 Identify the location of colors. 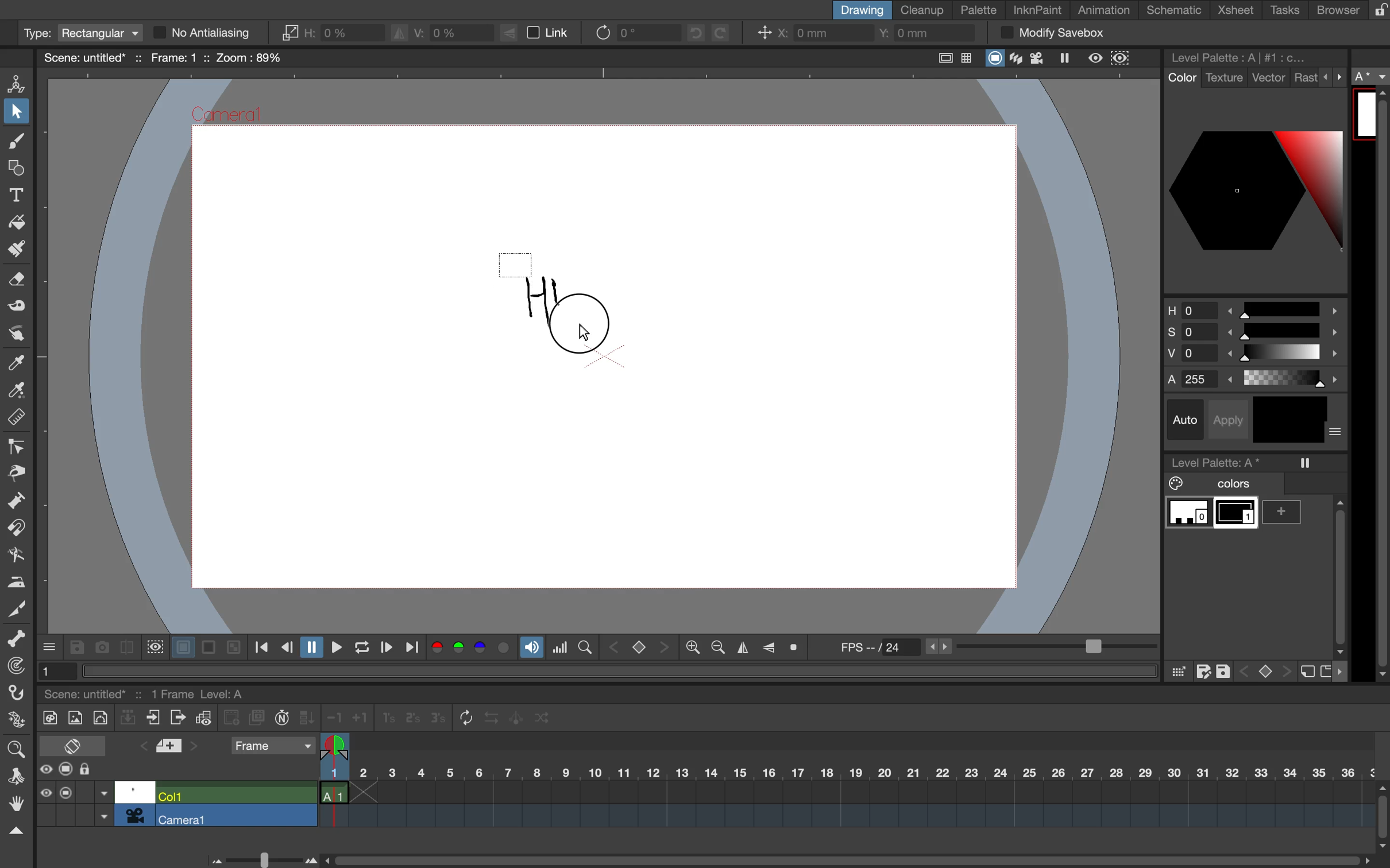
(472, 649).